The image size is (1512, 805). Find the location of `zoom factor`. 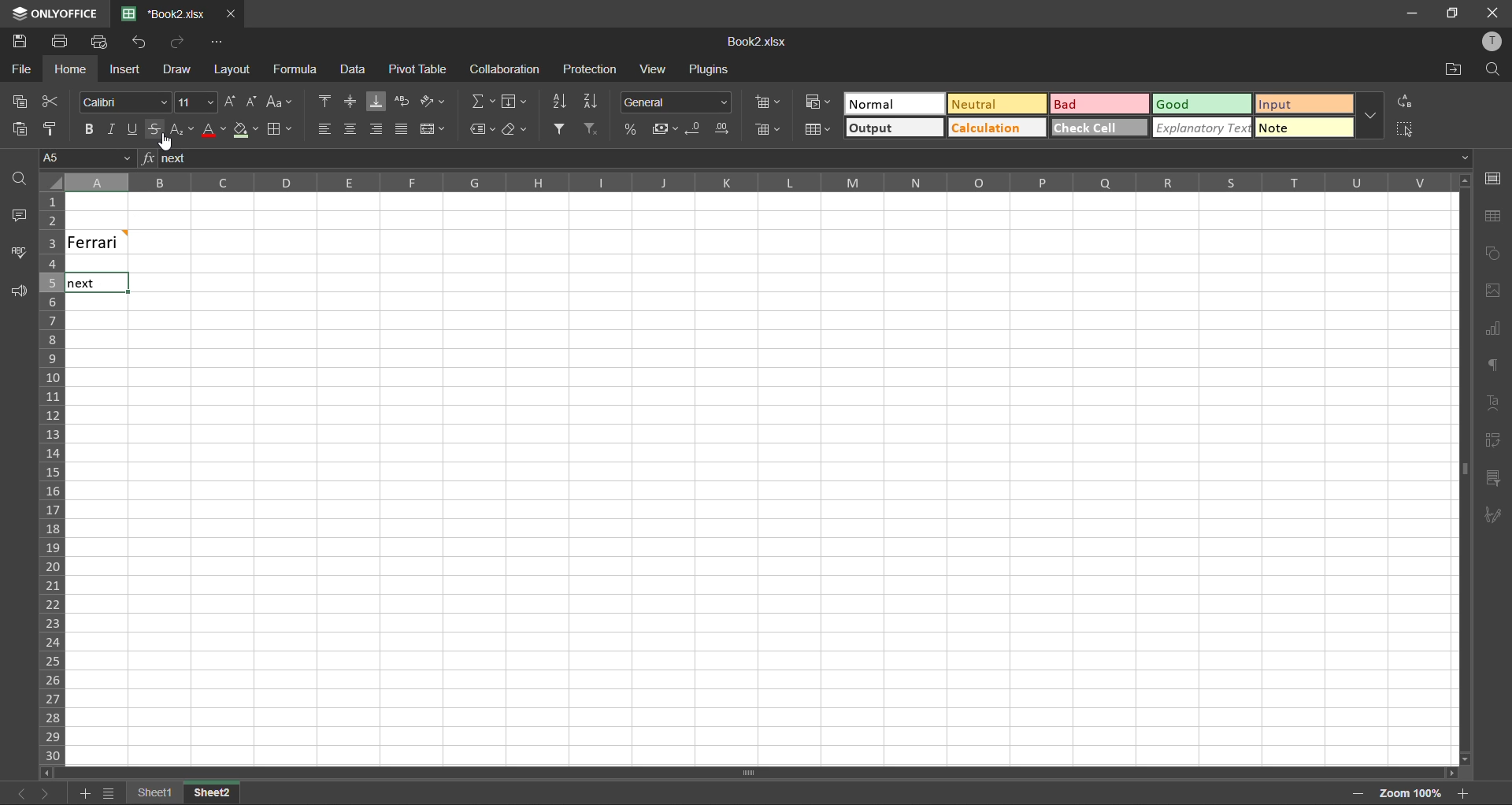

zoom factor is located at coordinates (1410, 792).